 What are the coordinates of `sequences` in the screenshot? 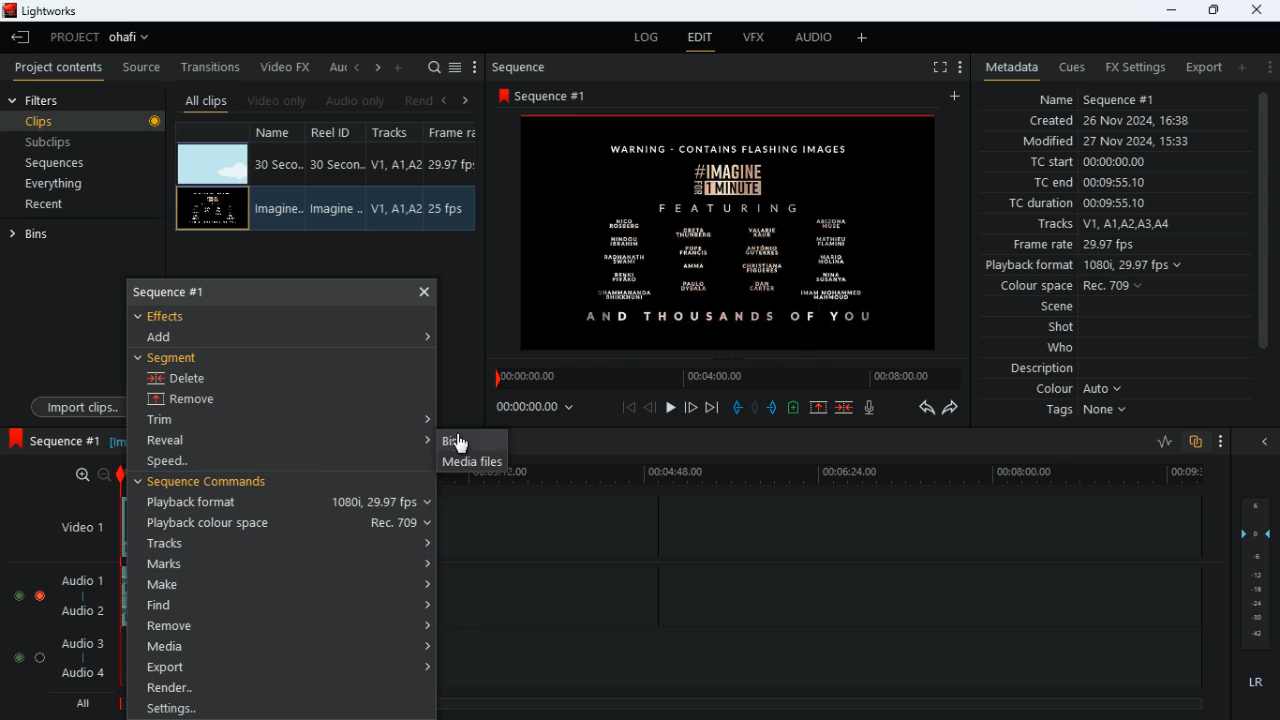 It's located at (70, 163).